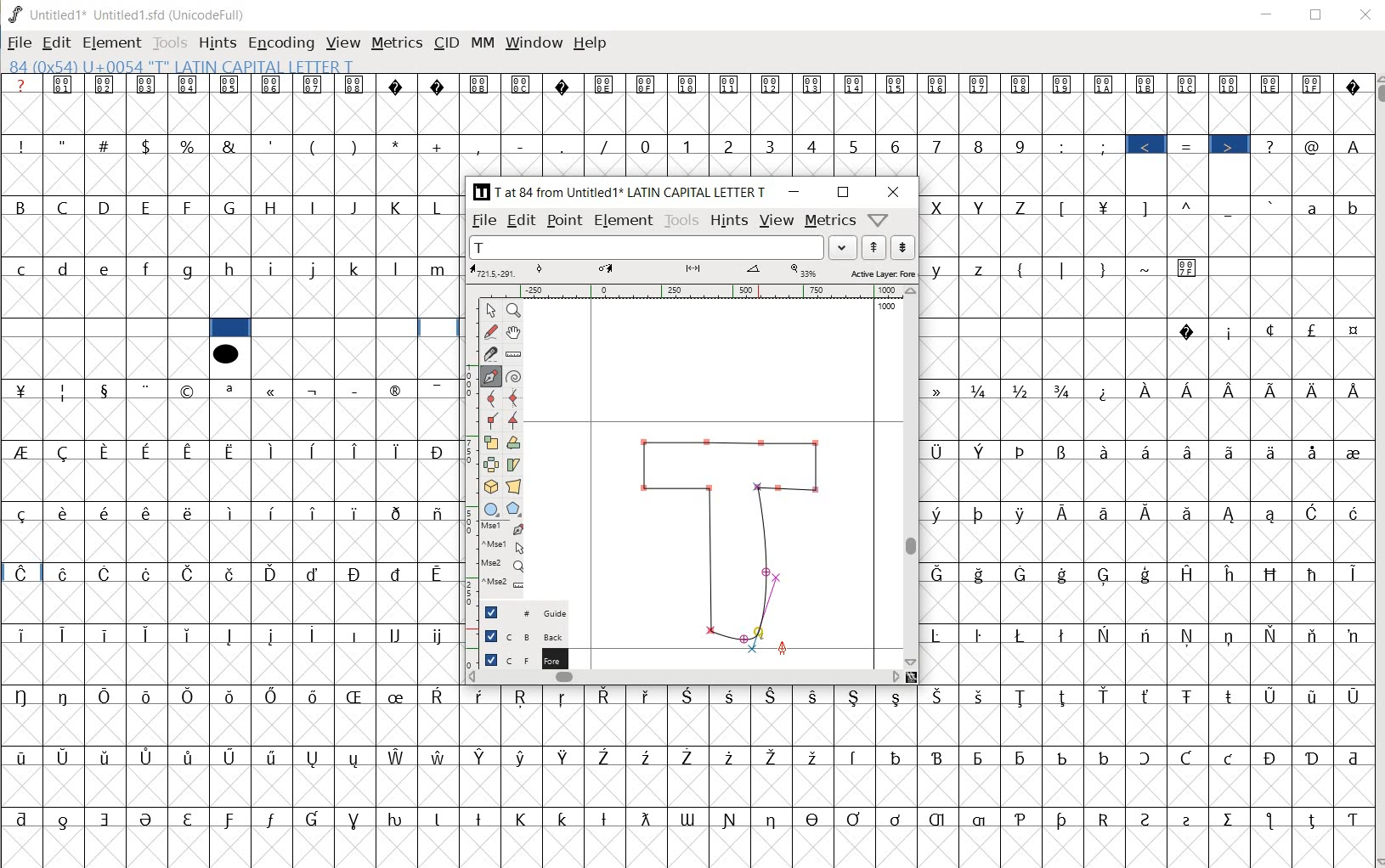  I want to click on Symbol, so click(939, 759).